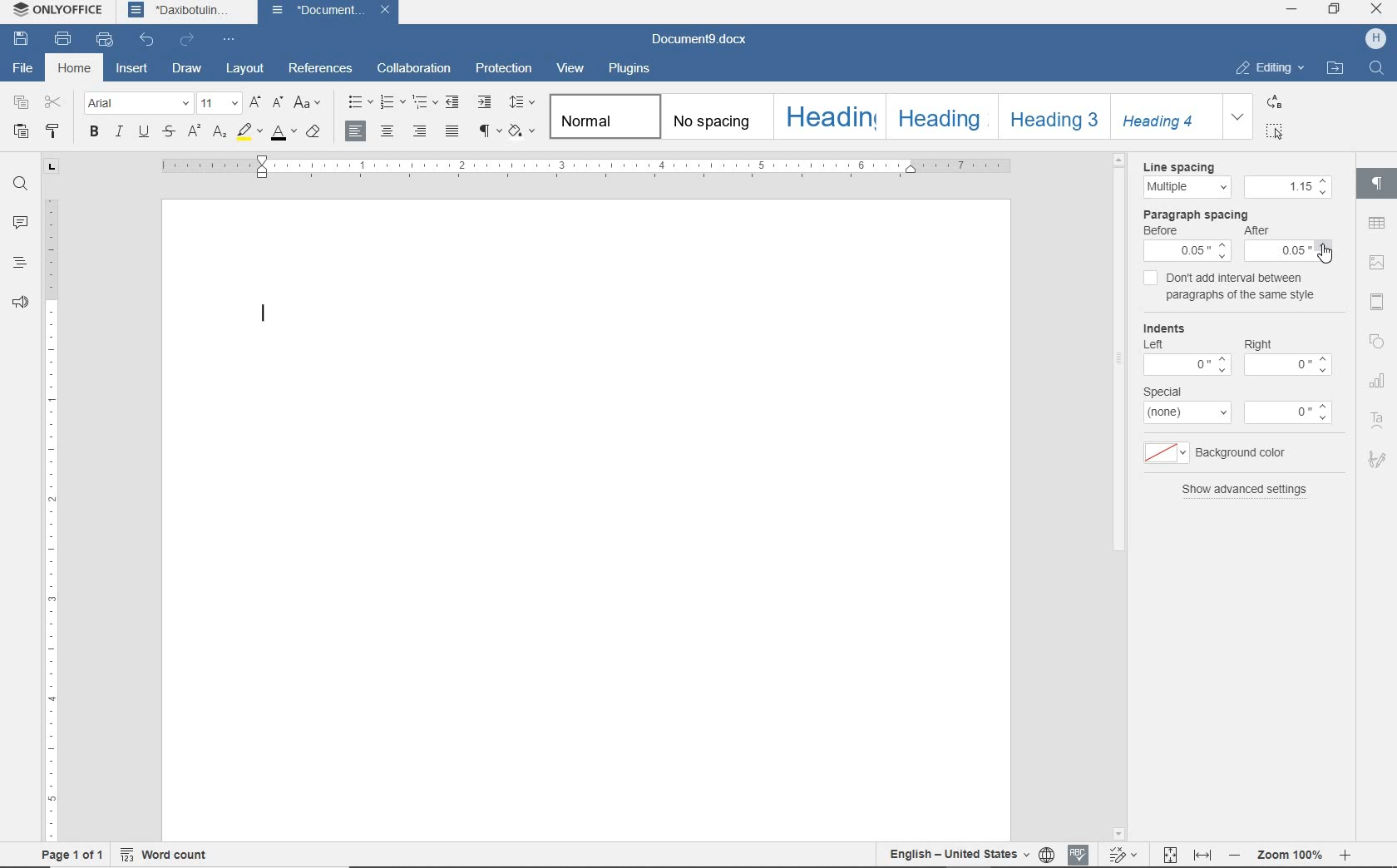 The image size is (1397, 868). I want to click on zoom in, so click(1345, 855).